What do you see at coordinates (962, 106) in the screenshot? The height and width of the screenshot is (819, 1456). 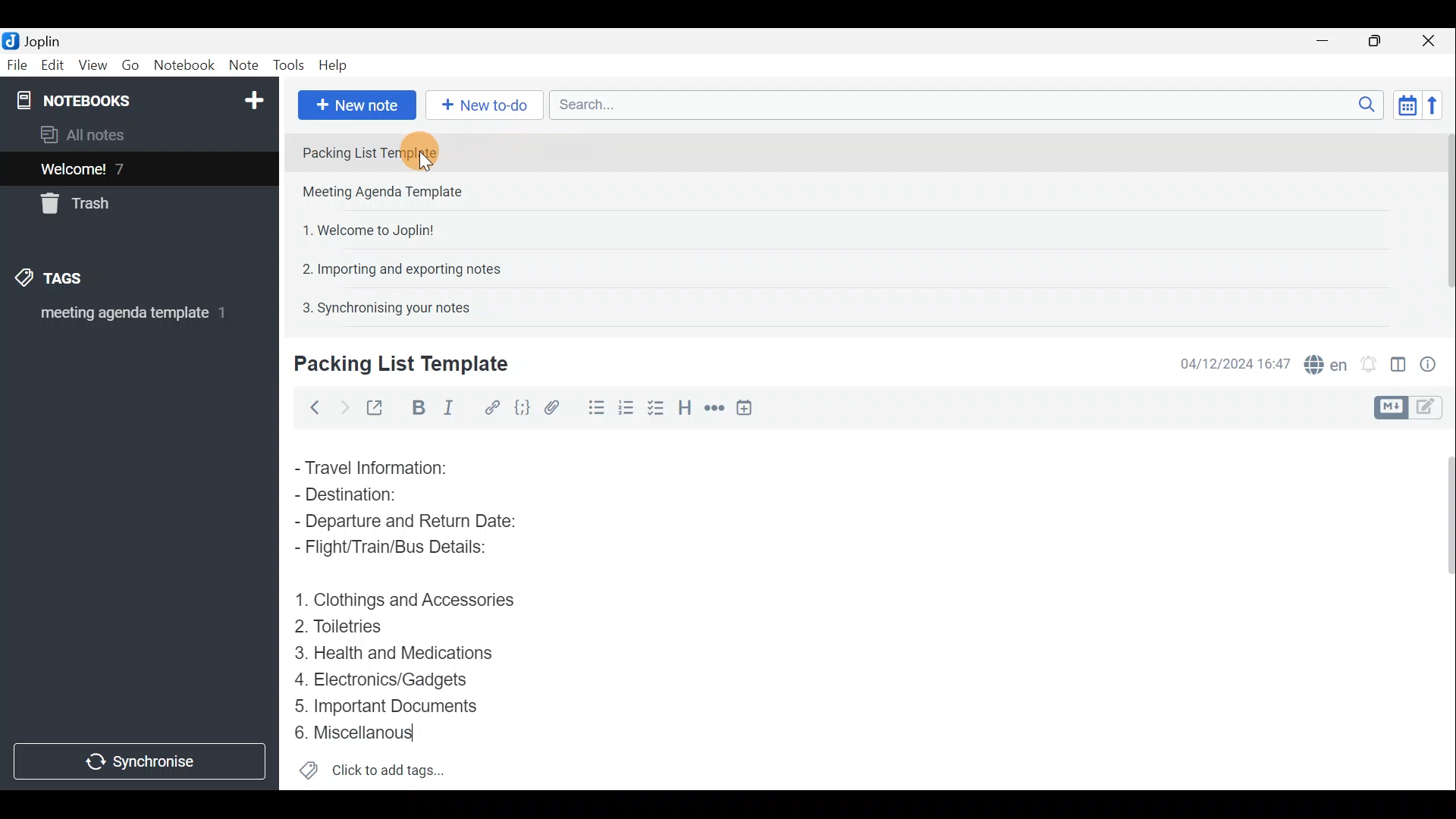 I see `Search bar` at bounding box center [962, 106].